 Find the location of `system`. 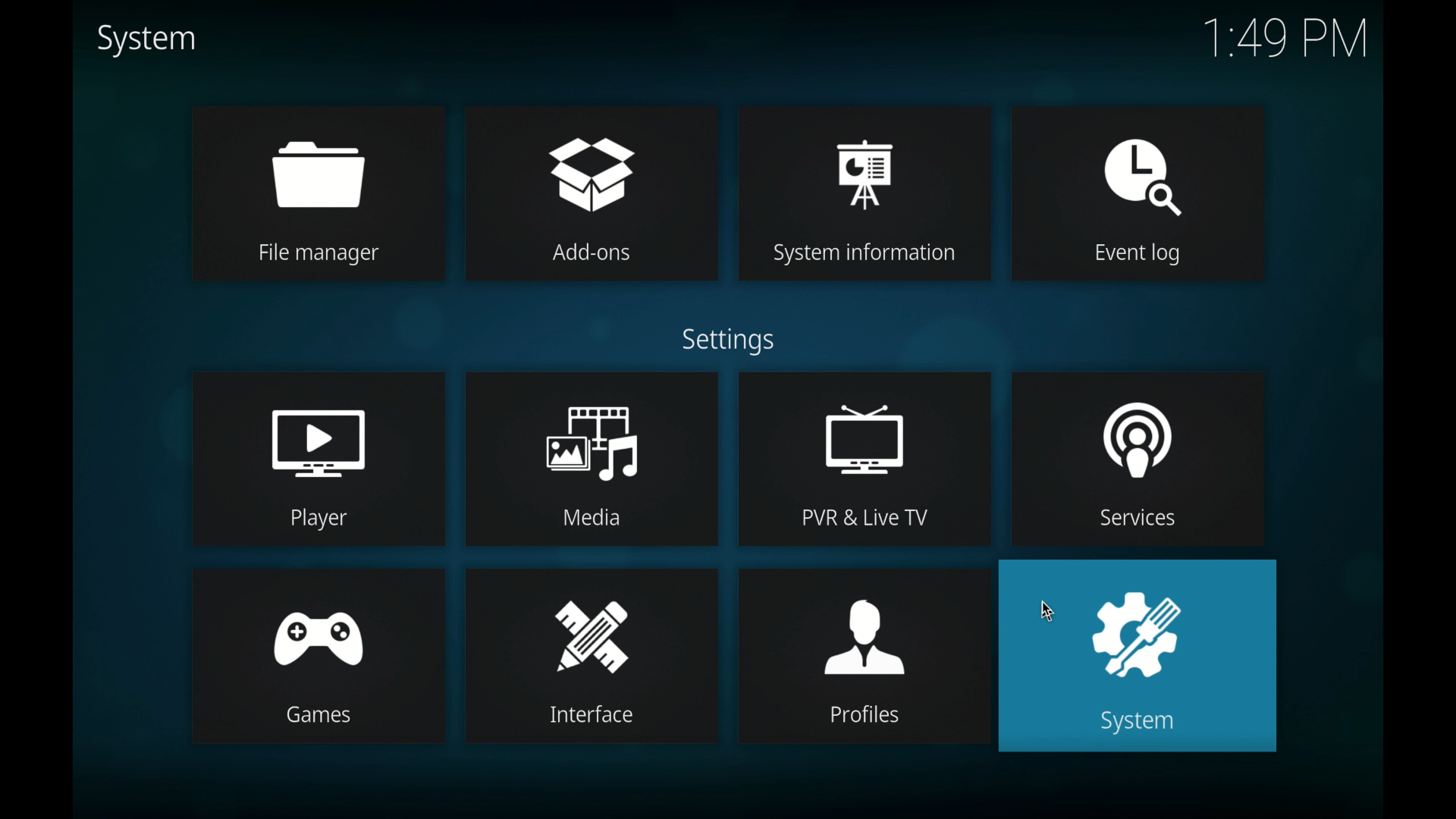

system is located at coordinates (145, 39).